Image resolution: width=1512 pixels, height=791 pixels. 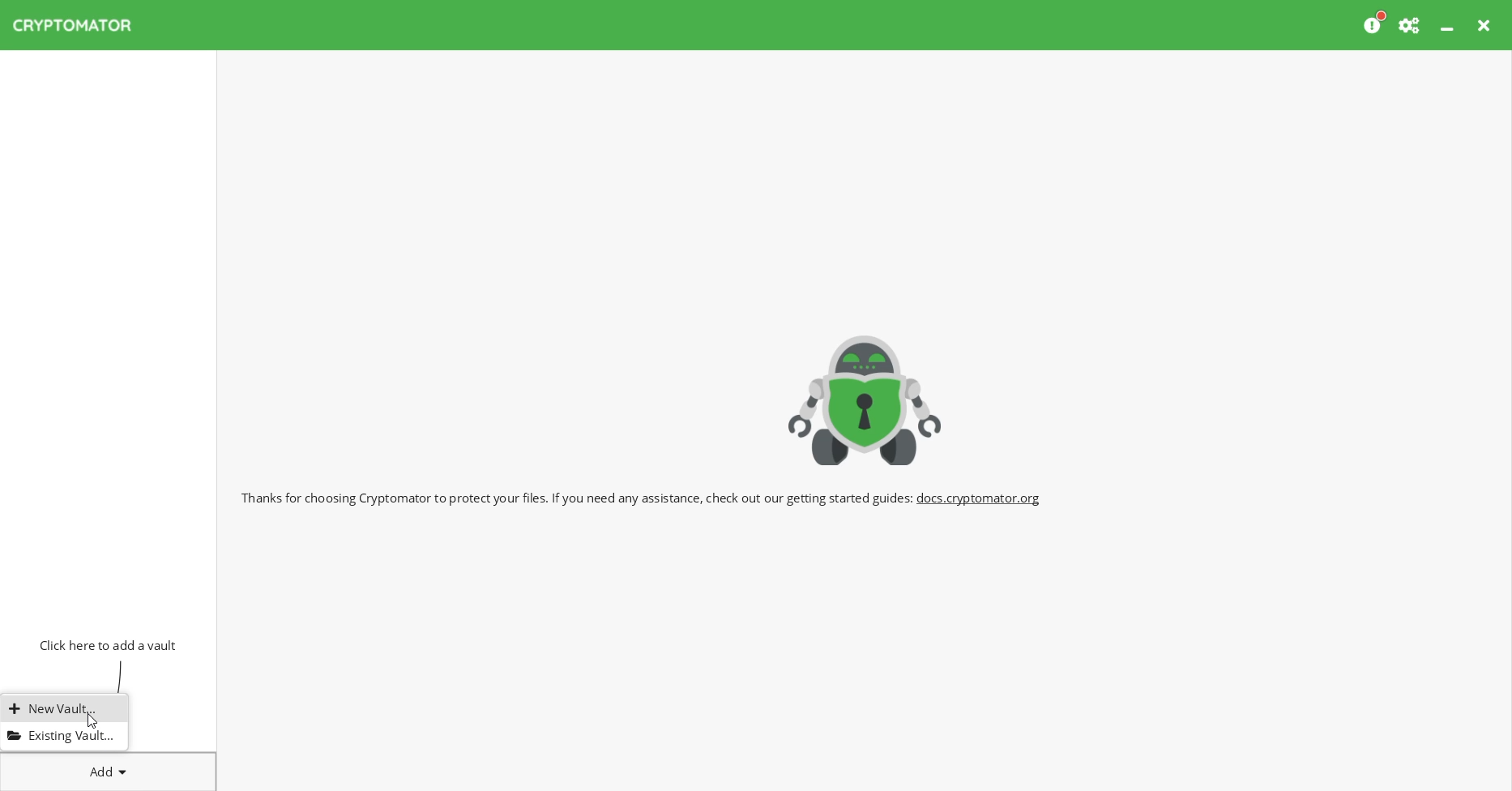 What do you see at coordinates (1375, 24) in the screenshot?
I see `Please consider donating` at bounding box center [1375, 24].